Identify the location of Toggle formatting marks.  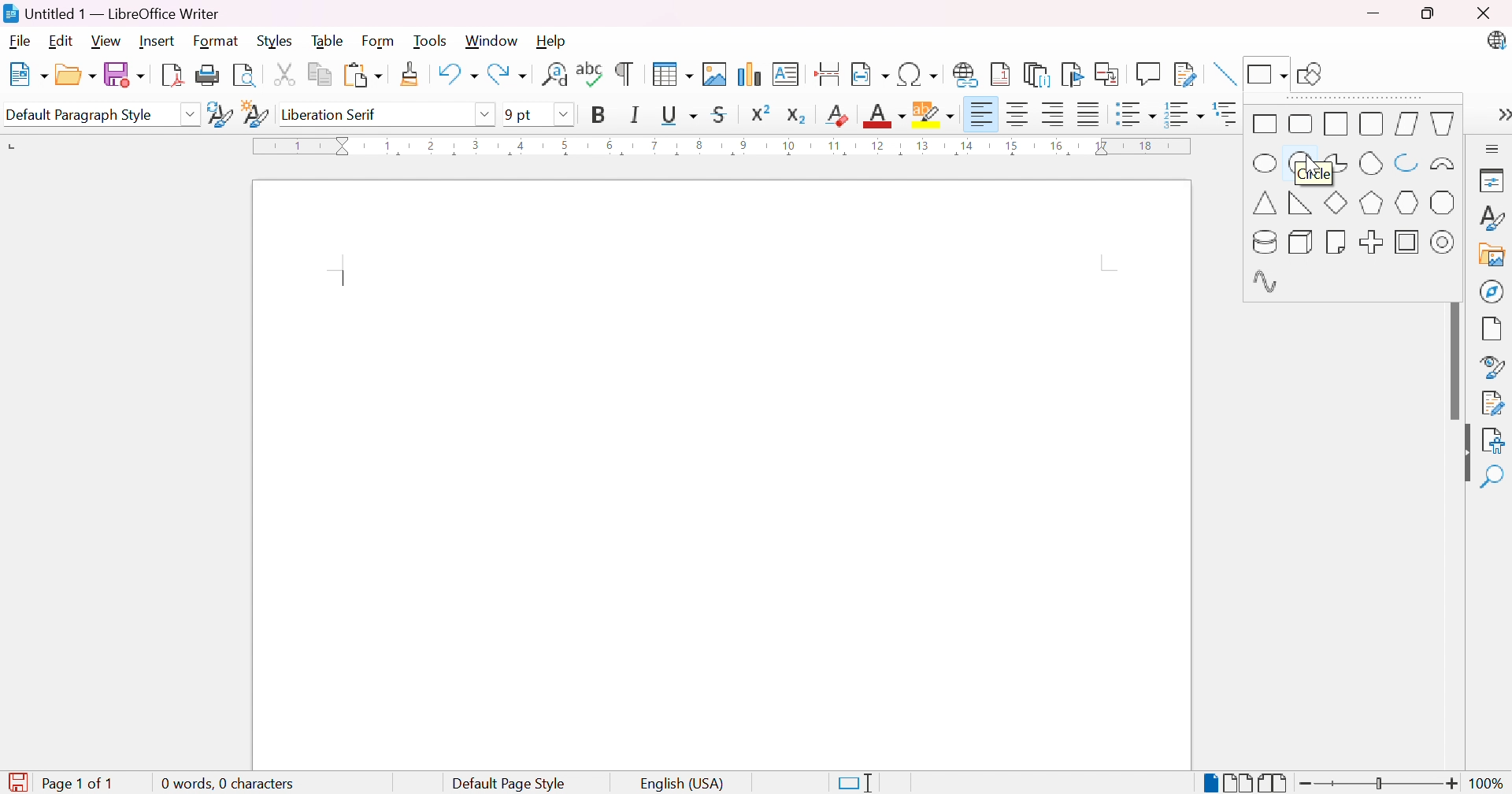
(624, 74).